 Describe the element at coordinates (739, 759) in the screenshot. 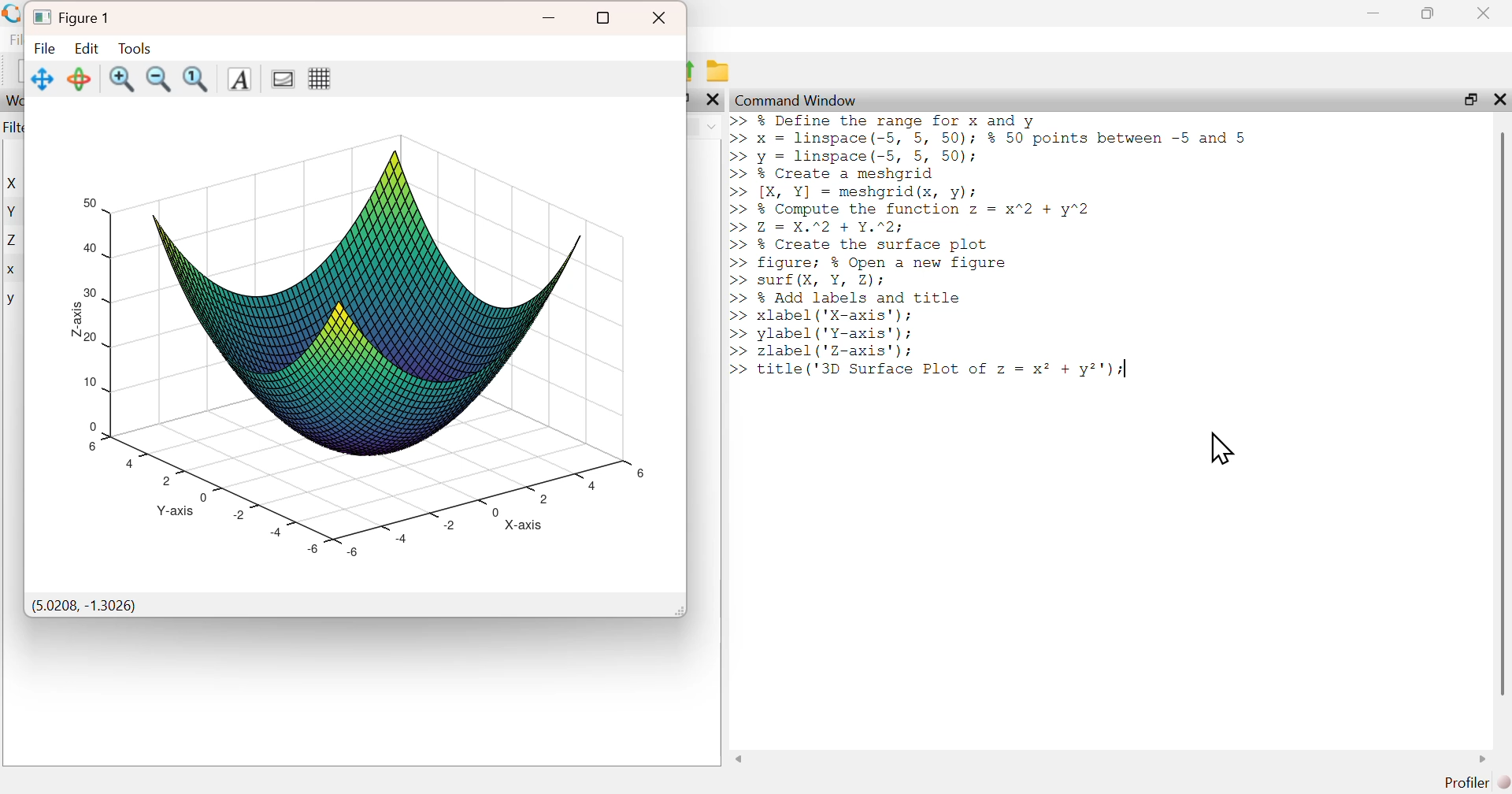

I see `scroll left` at that location.